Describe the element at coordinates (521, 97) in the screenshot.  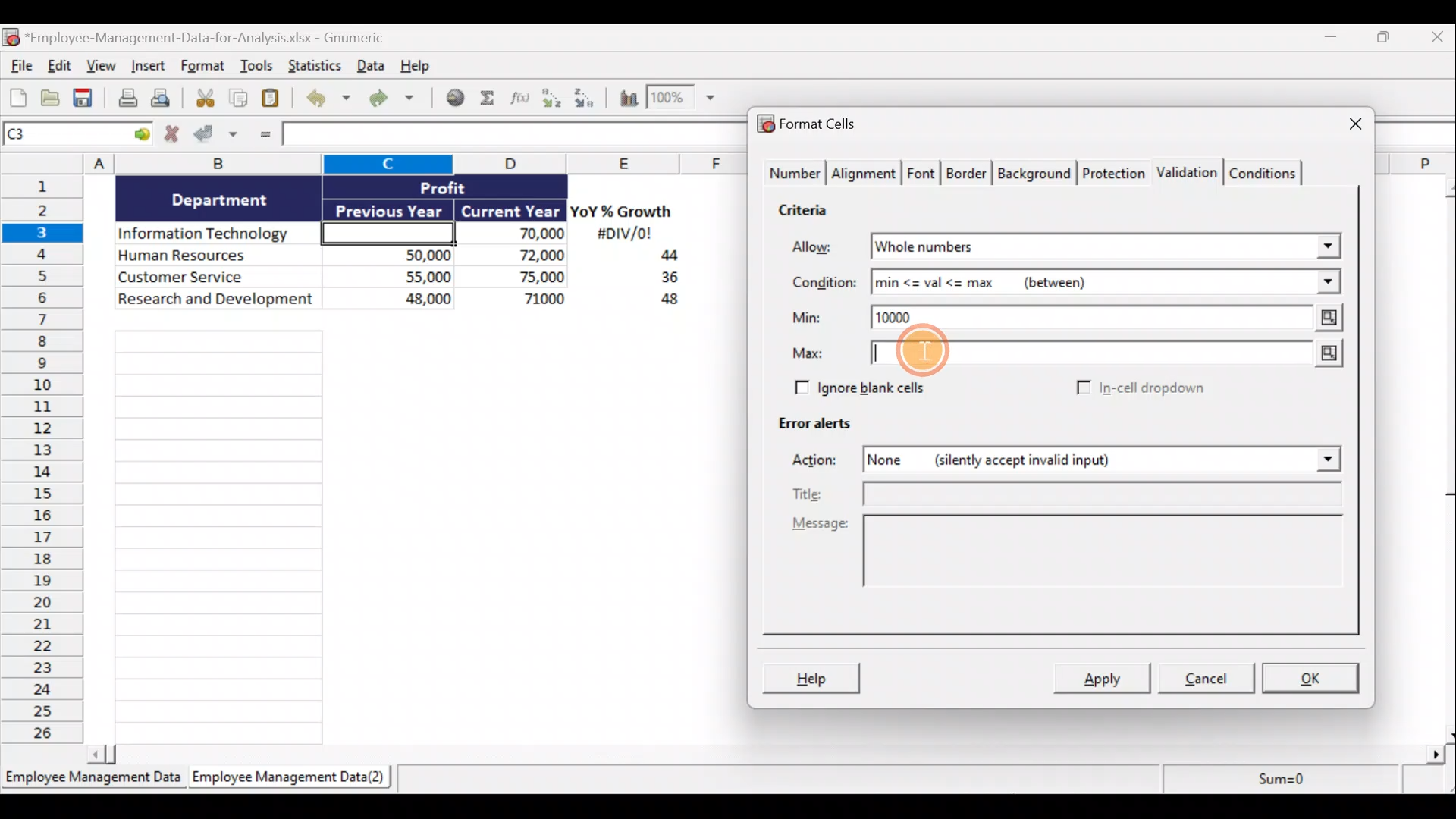
I see `Edit a function in the current cell` at that location.